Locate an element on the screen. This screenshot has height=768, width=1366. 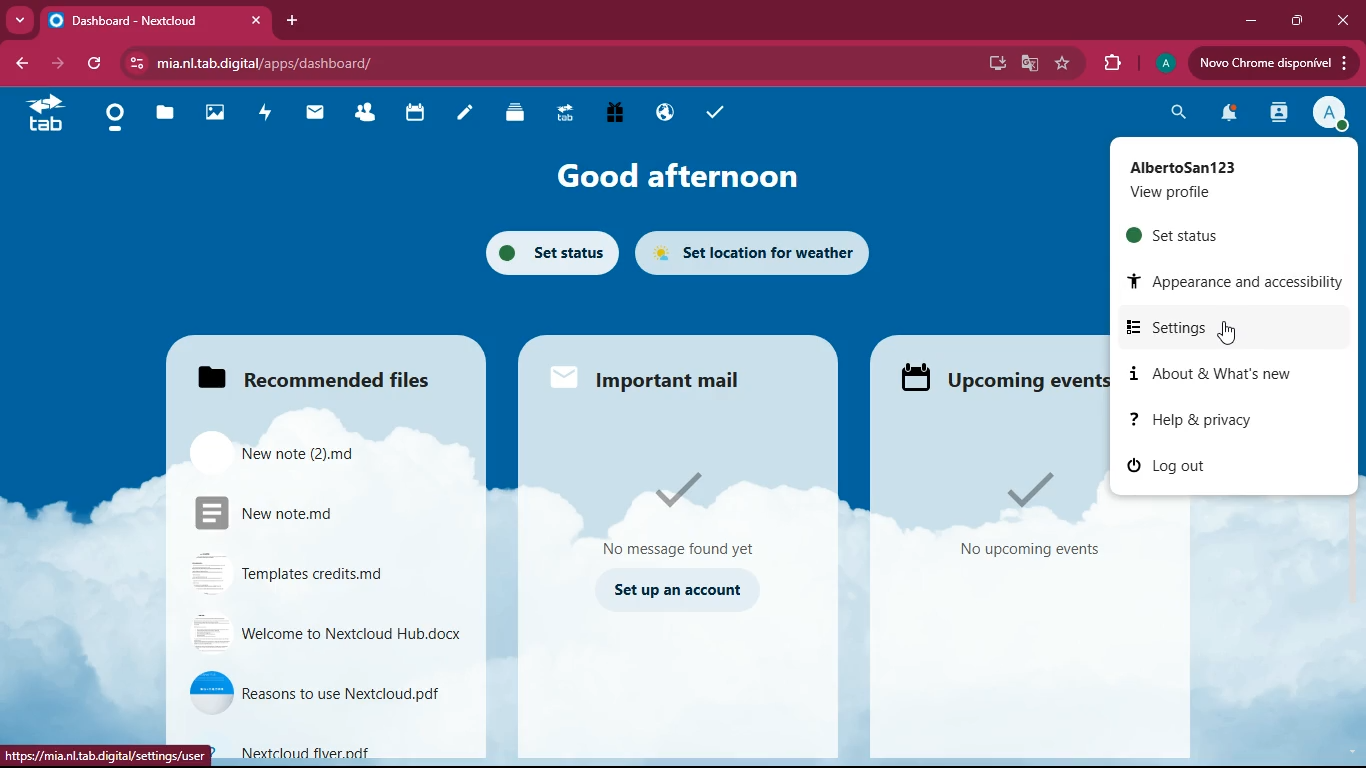
gift is located at coordinates (612, 115).